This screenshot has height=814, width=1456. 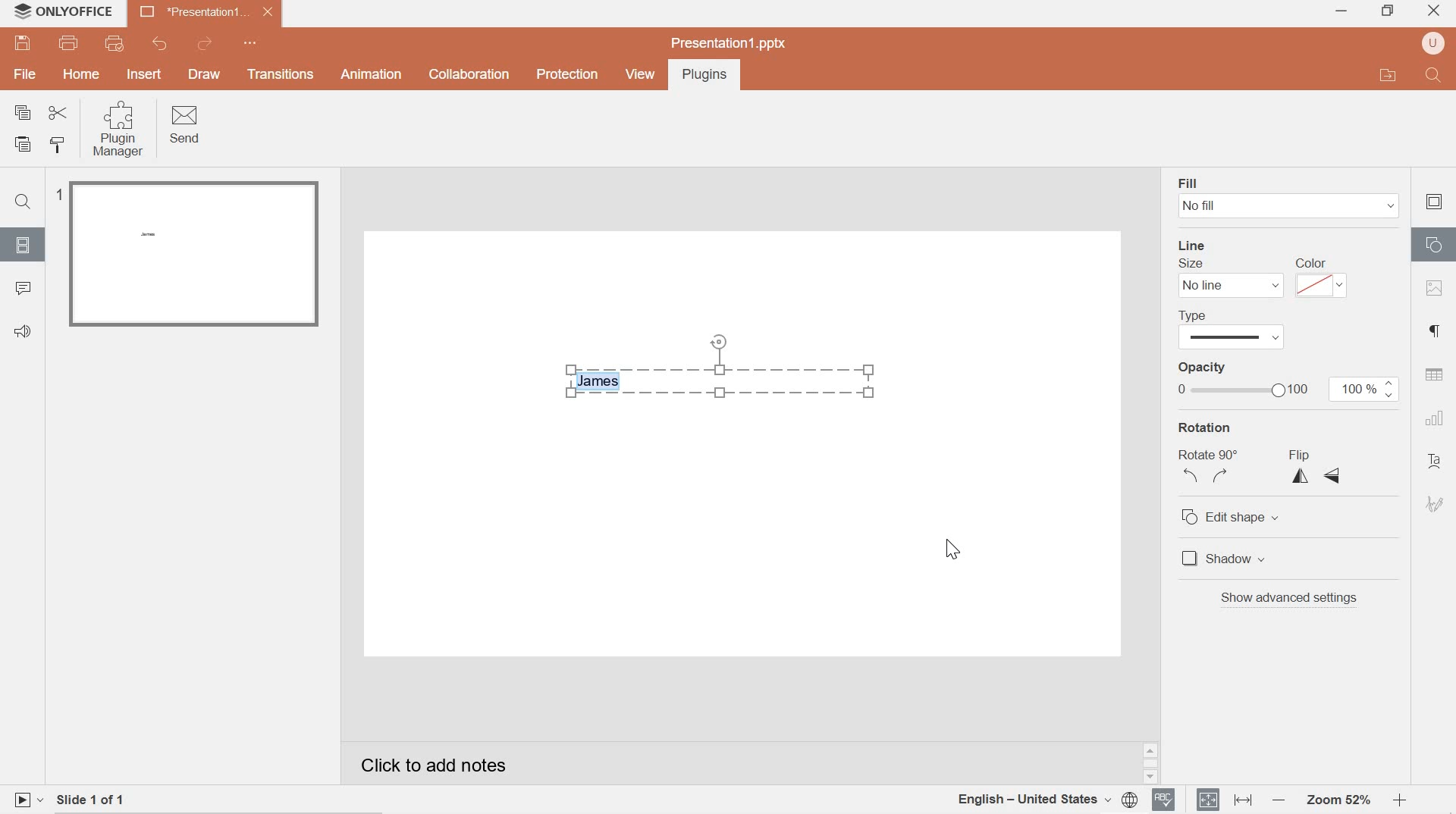 I want to click on slide 1 of 1, so click(x=104, y=797).